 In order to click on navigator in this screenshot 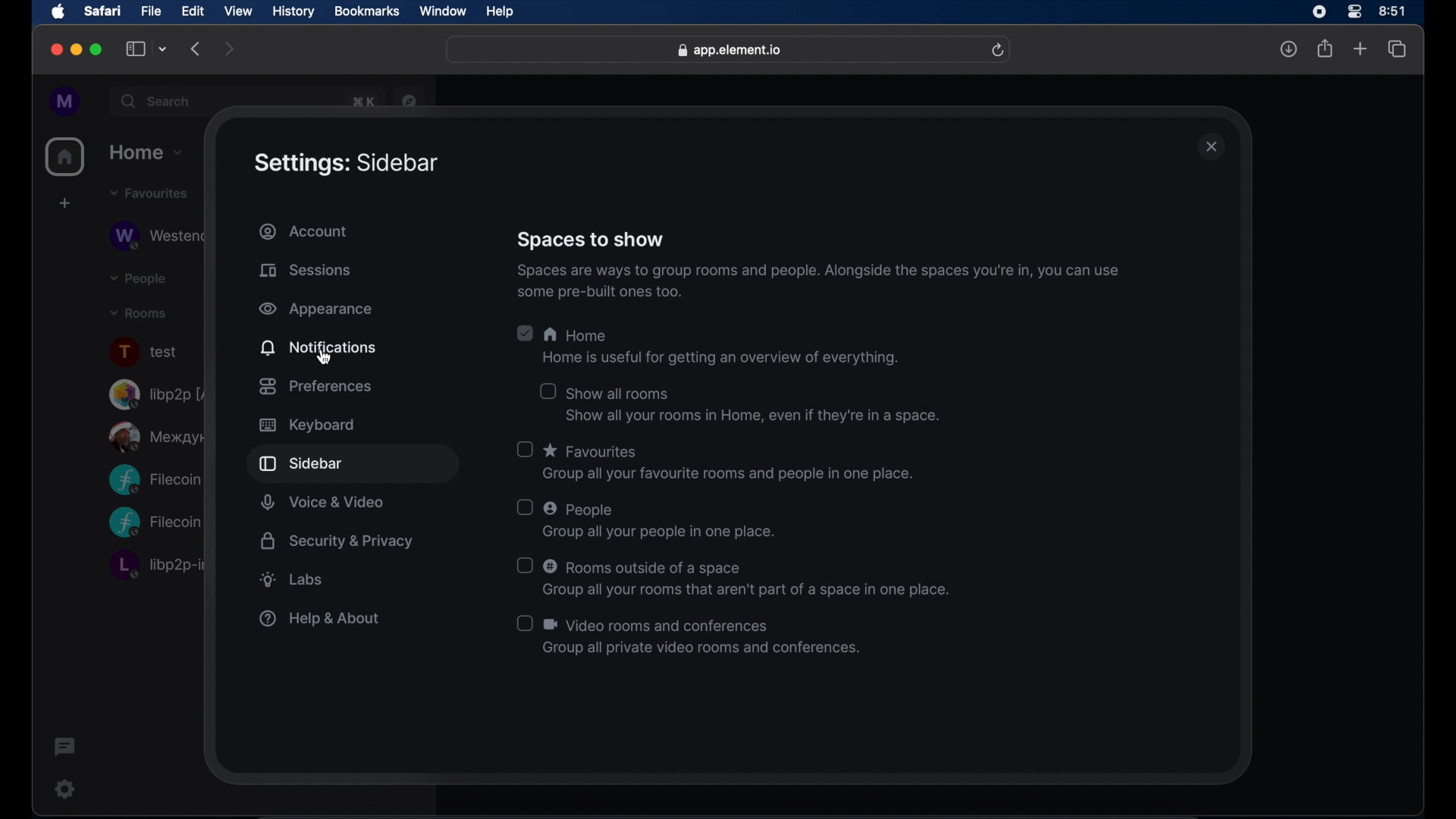, I will do `click(410, 99)`.